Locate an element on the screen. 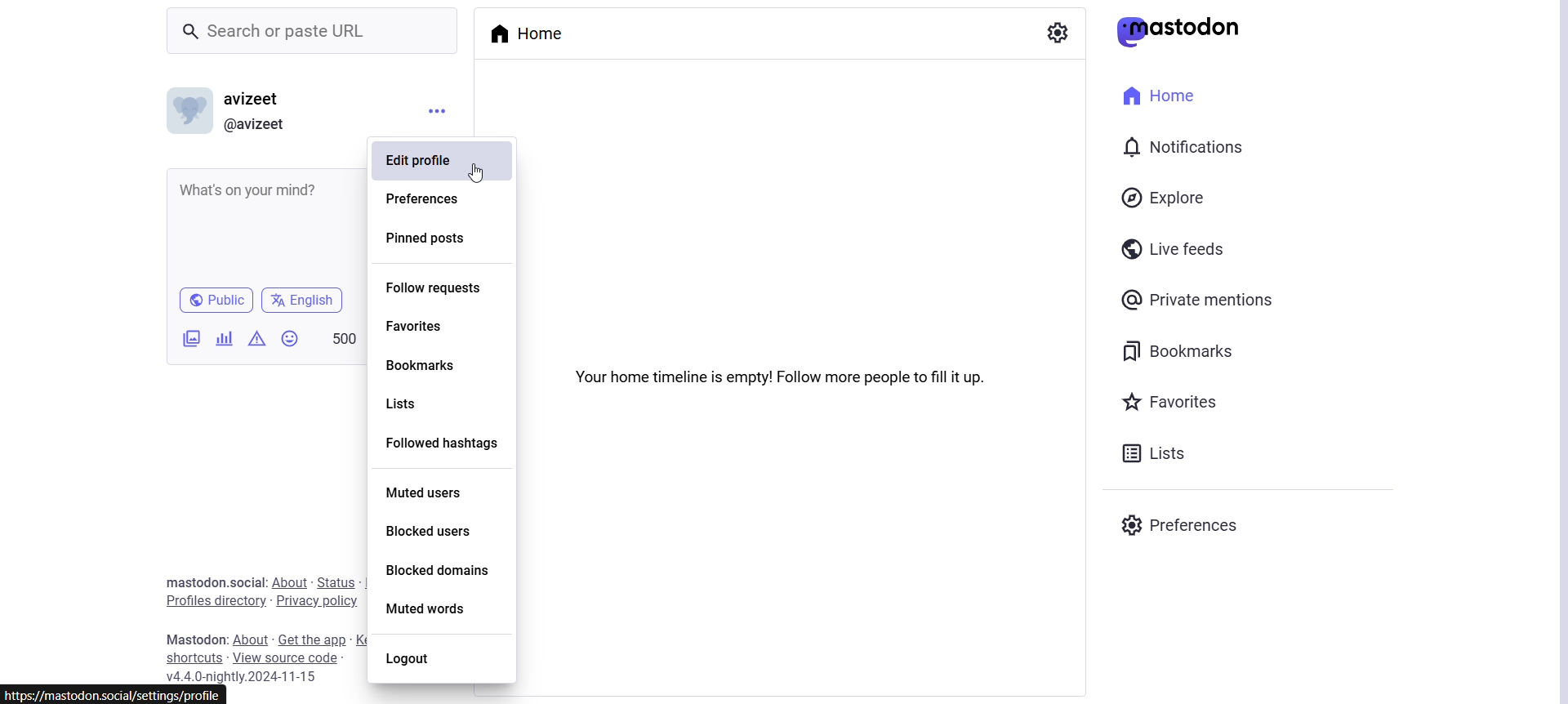  Show Settings is located at coordinates (1064, 32).